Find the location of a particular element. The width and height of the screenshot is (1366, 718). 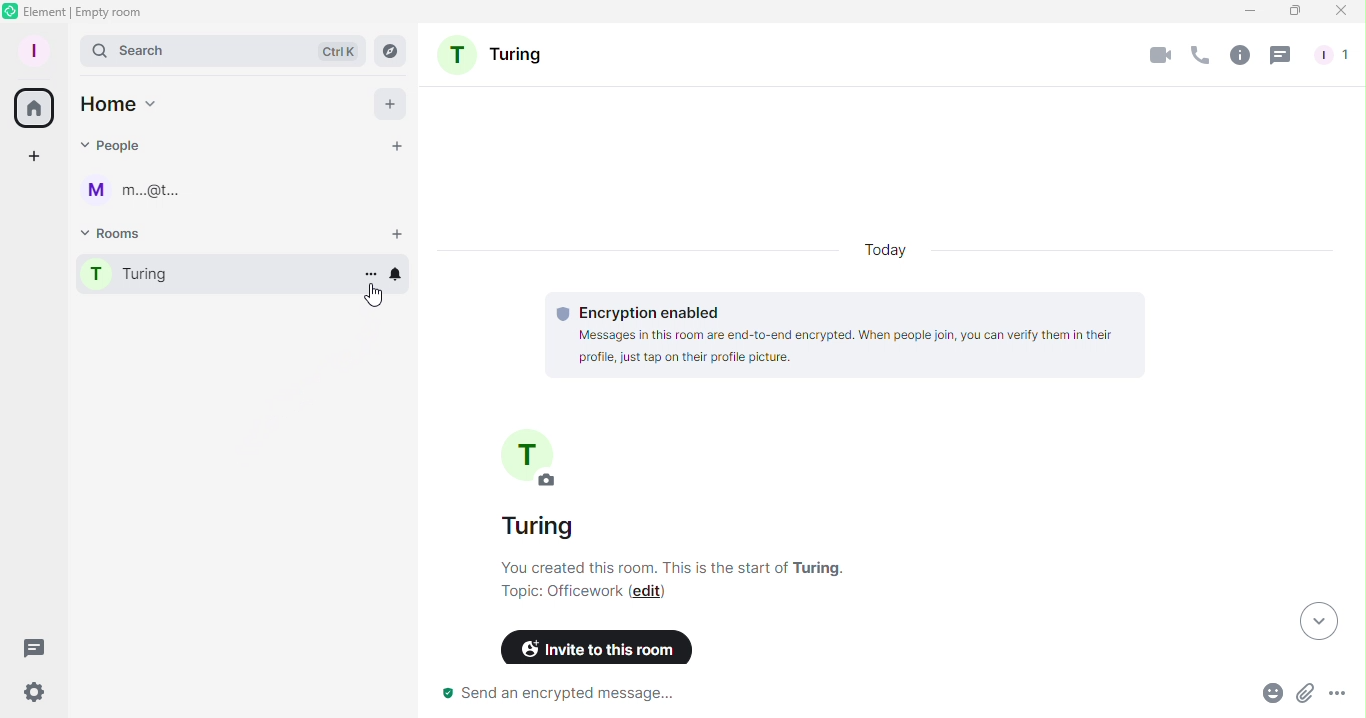

More options is located at coordinates (1336, 696).